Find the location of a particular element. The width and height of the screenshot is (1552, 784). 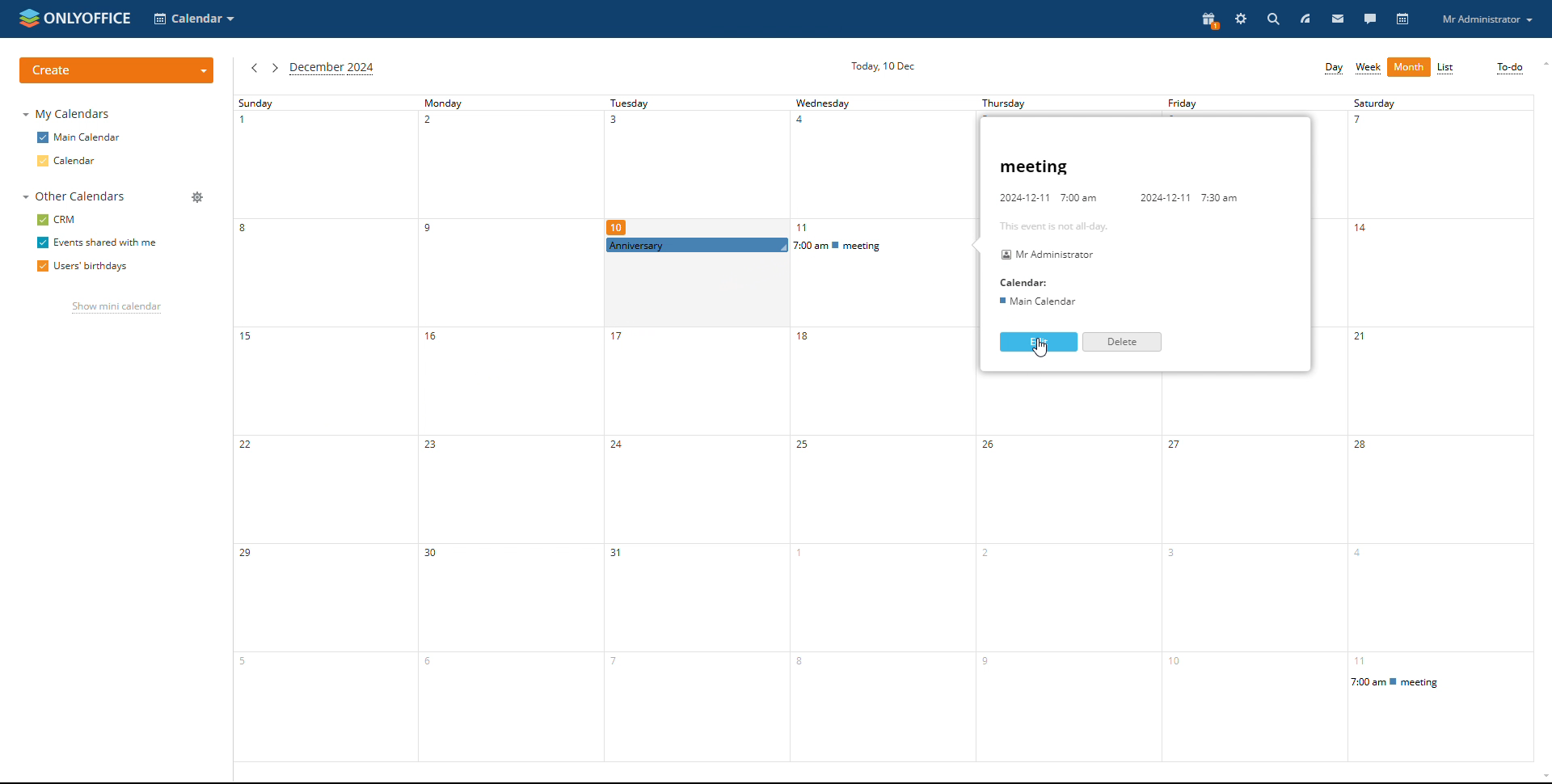

manage is located at coordinates (198, 196).